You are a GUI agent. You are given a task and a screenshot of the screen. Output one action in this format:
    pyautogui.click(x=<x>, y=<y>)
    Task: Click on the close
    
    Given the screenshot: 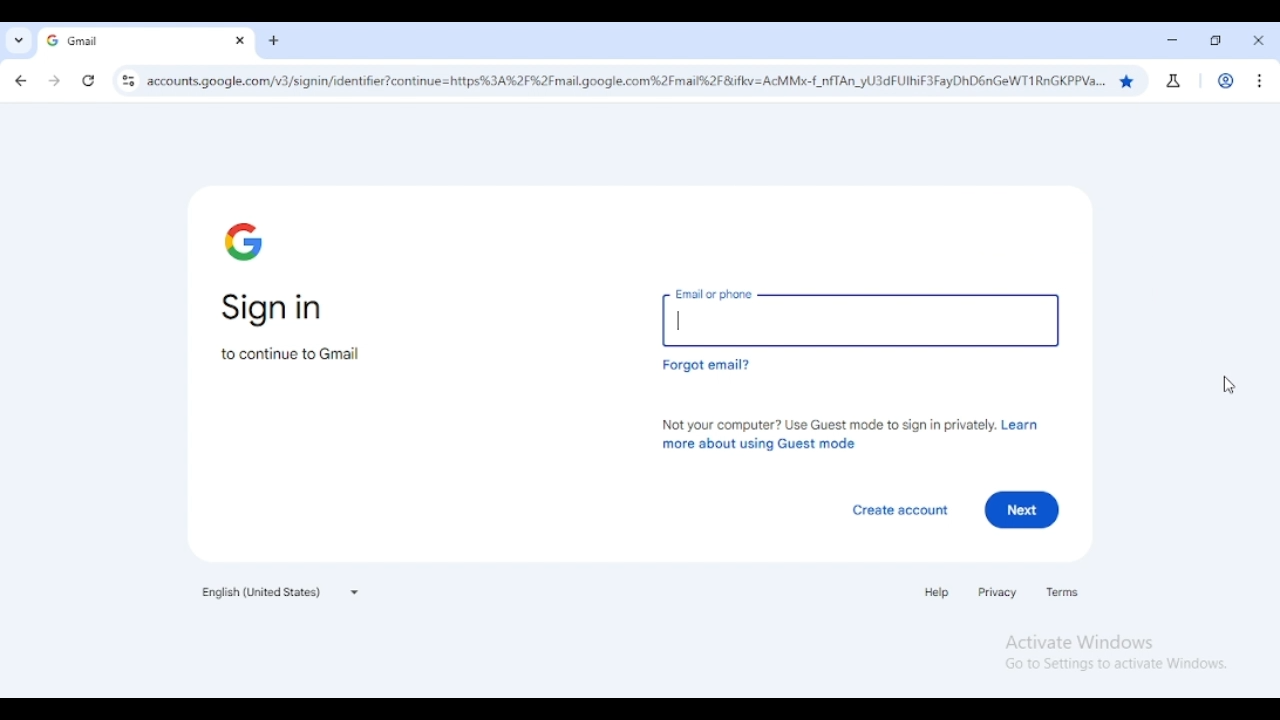 What is the action you would take?
    pyautogui.click(x=1258, y=40)
    